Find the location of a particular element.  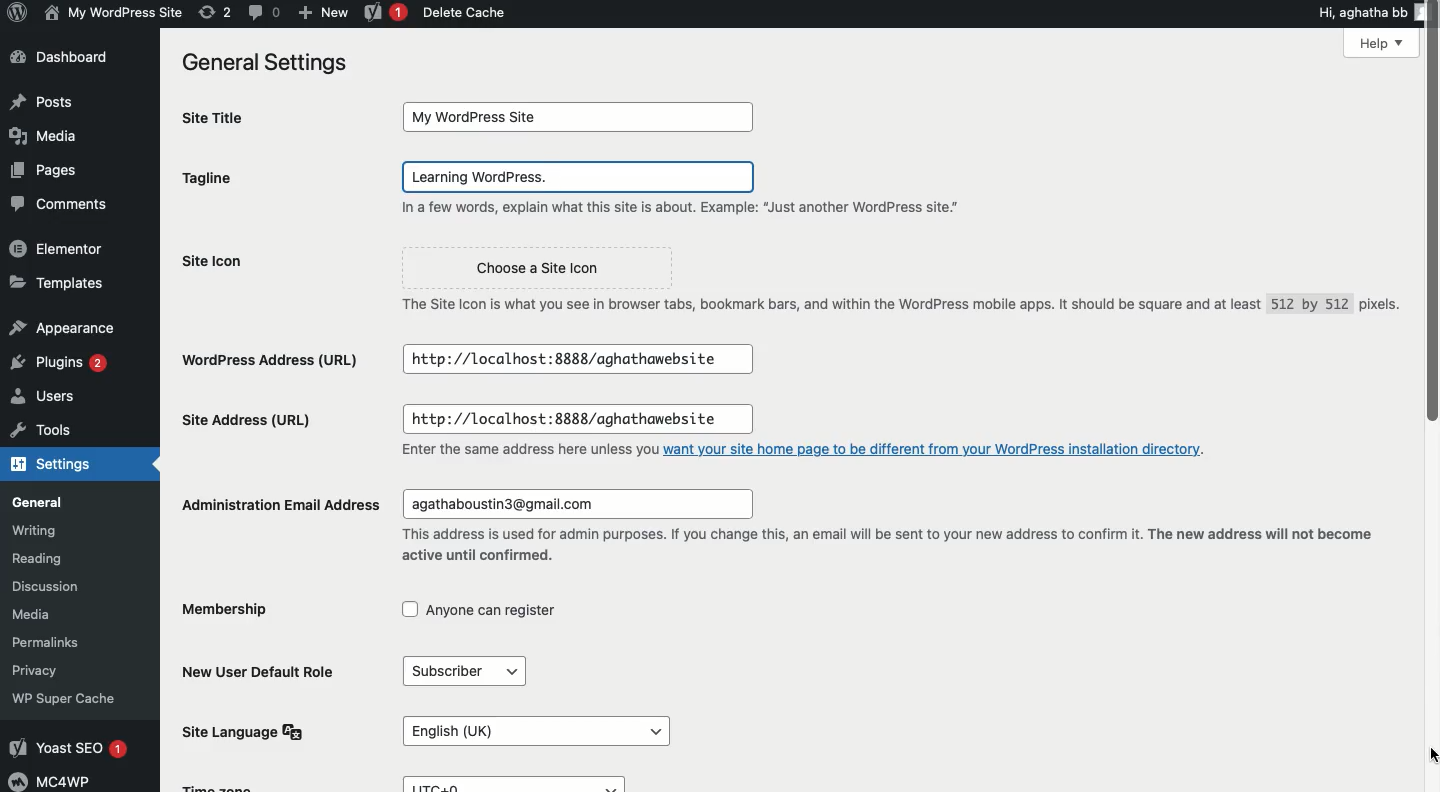

http://localhost:8888/aghathawebsite  is located at coordinates (585, 417).